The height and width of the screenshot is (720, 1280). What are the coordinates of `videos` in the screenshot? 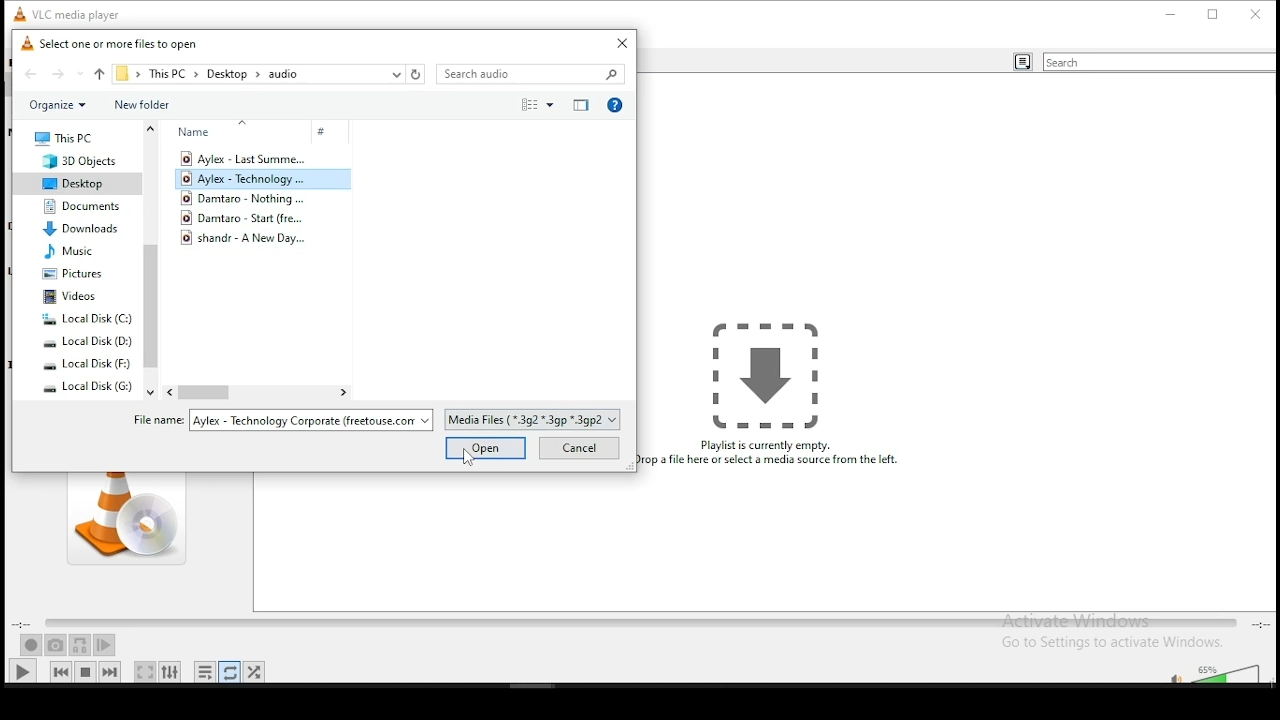 It's located at (72, 297).